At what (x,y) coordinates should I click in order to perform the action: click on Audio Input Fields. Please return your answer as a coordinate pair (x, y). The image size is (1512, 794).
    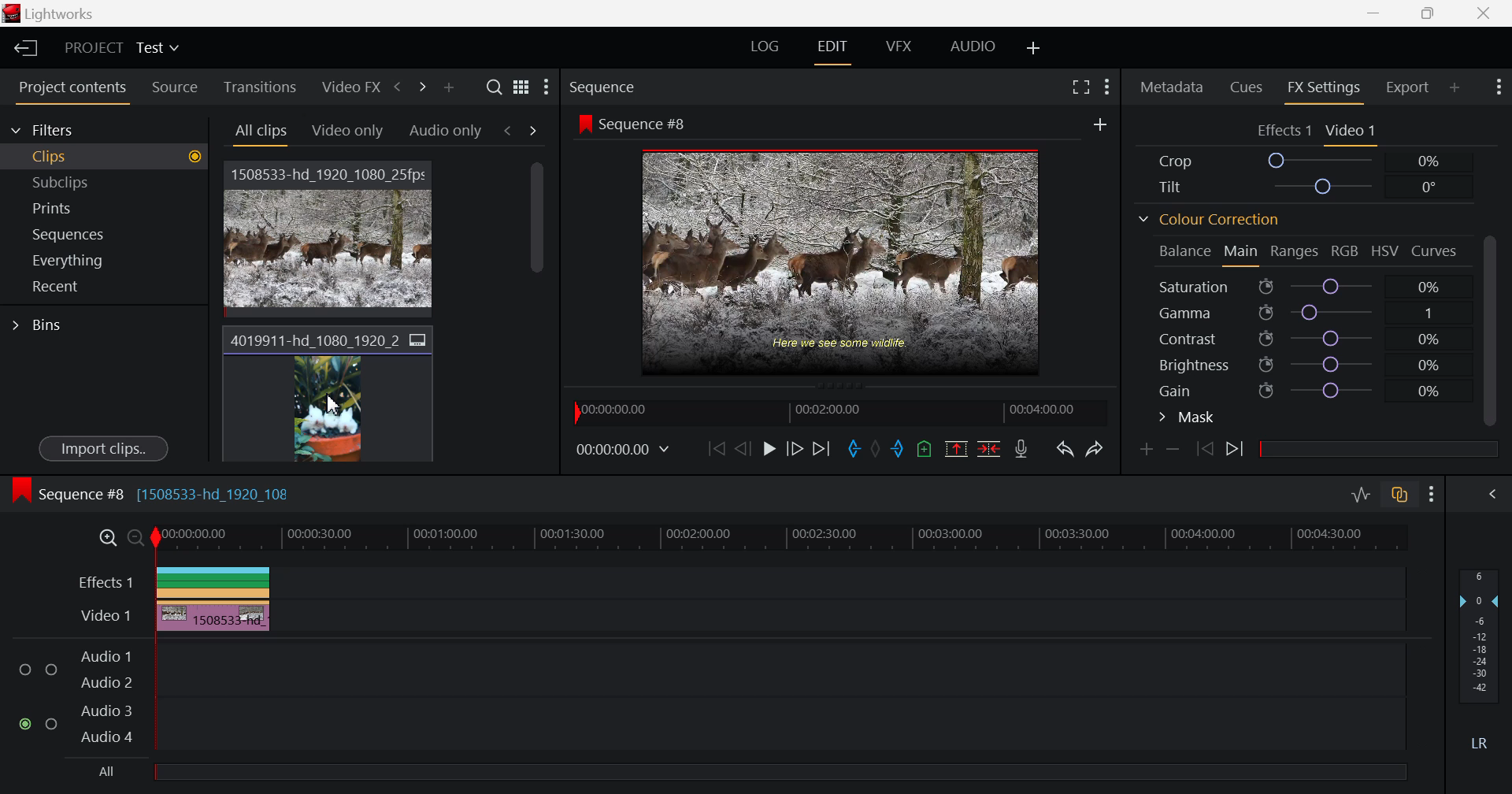
    Looking at the image, I should click on (708, 693).